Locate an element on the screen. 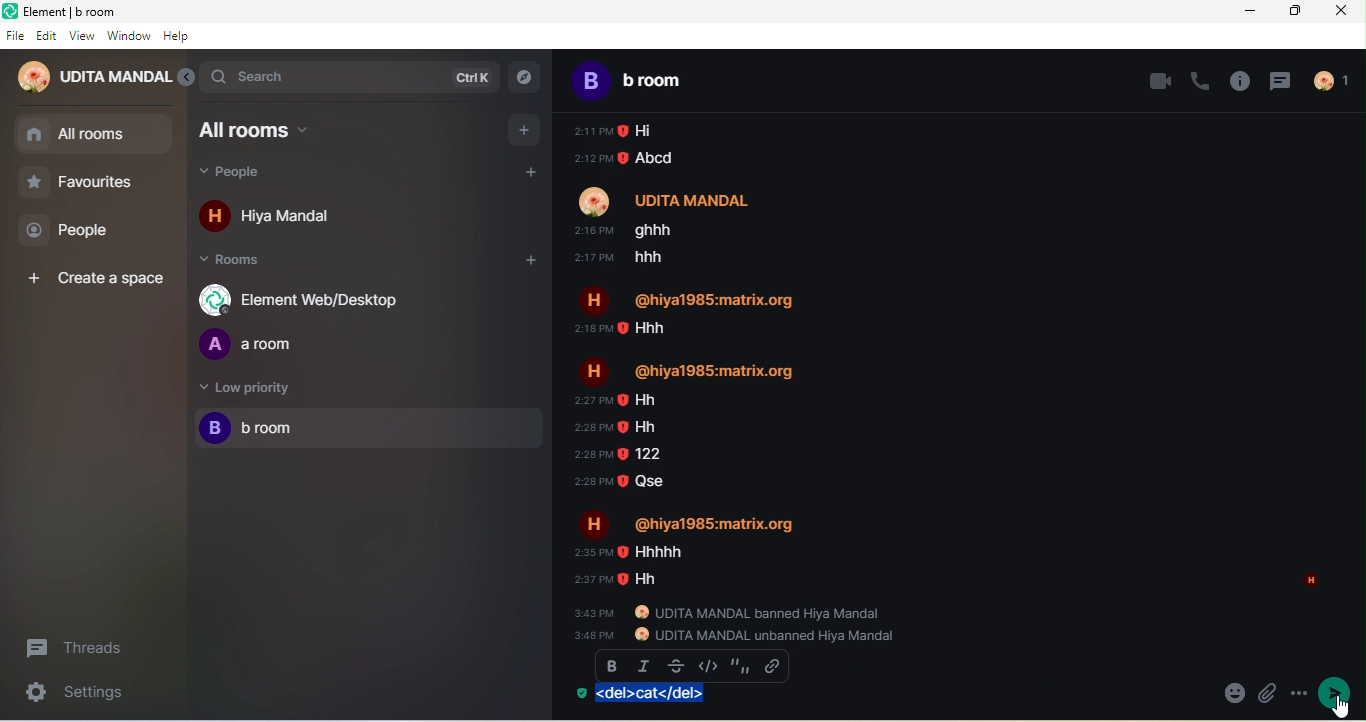 The width and height of the screenshot is (1366, 722). strickthrough applied is located at coordinates (657, 692).